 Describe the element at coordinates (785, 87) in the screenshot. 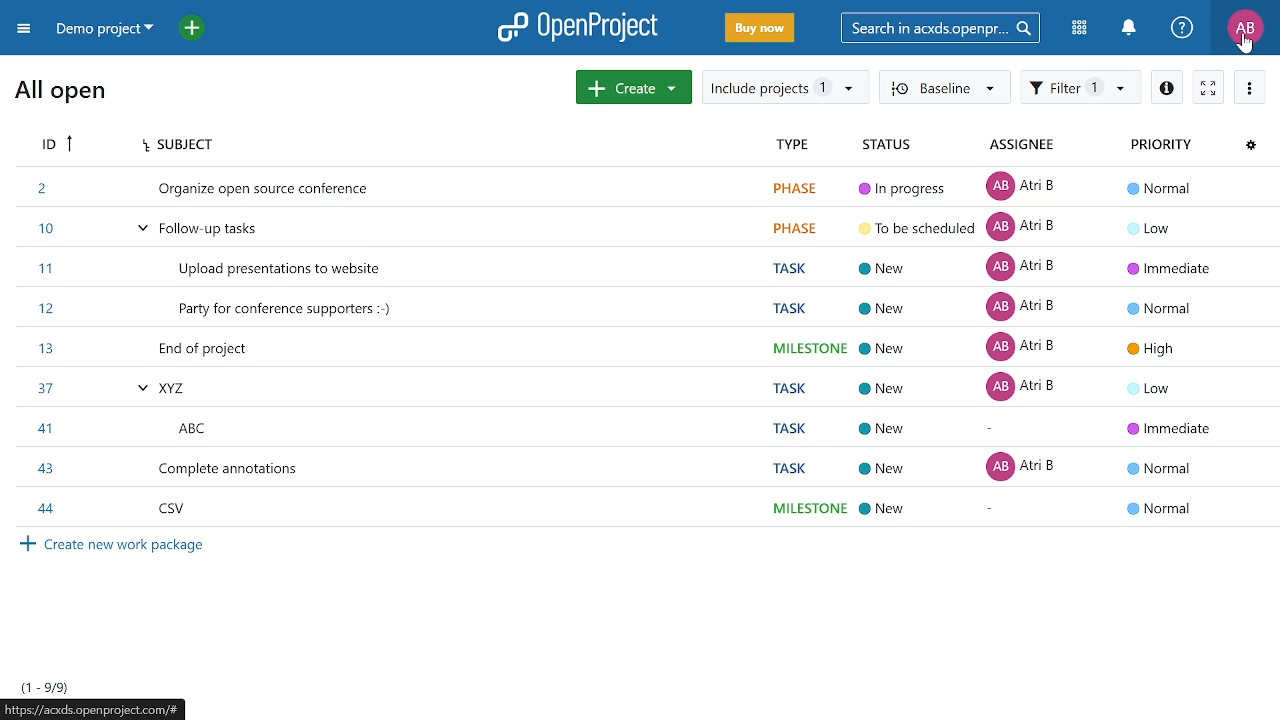

I see `Include projects` at that location.